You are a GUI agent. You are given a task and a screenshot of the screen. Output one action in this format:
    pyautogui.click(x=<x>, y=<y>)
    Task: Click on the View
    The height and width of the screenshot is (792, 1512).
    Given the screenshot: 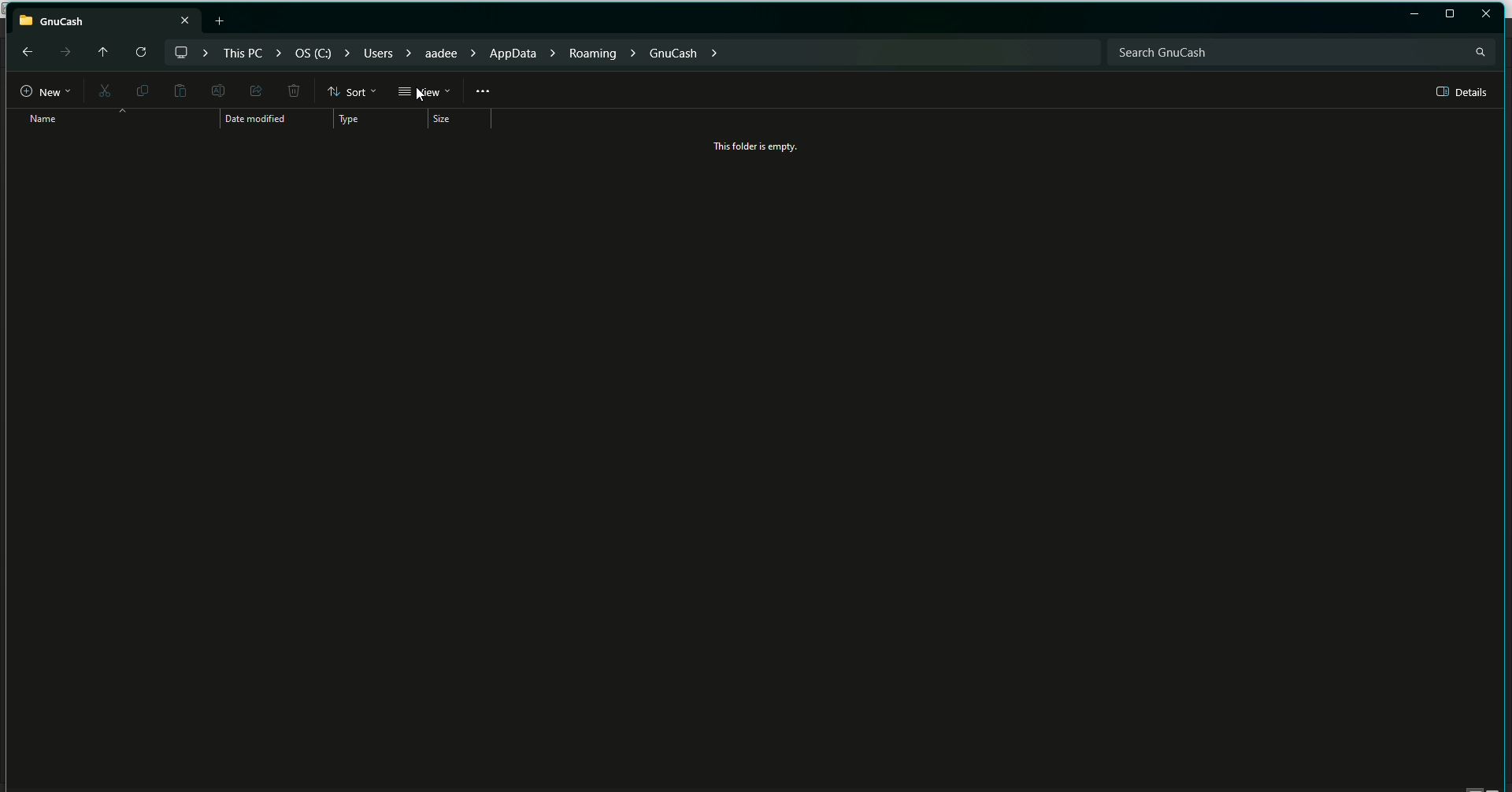 What is the action you would take?
    pyautogui.click(x=424, y=92)
    